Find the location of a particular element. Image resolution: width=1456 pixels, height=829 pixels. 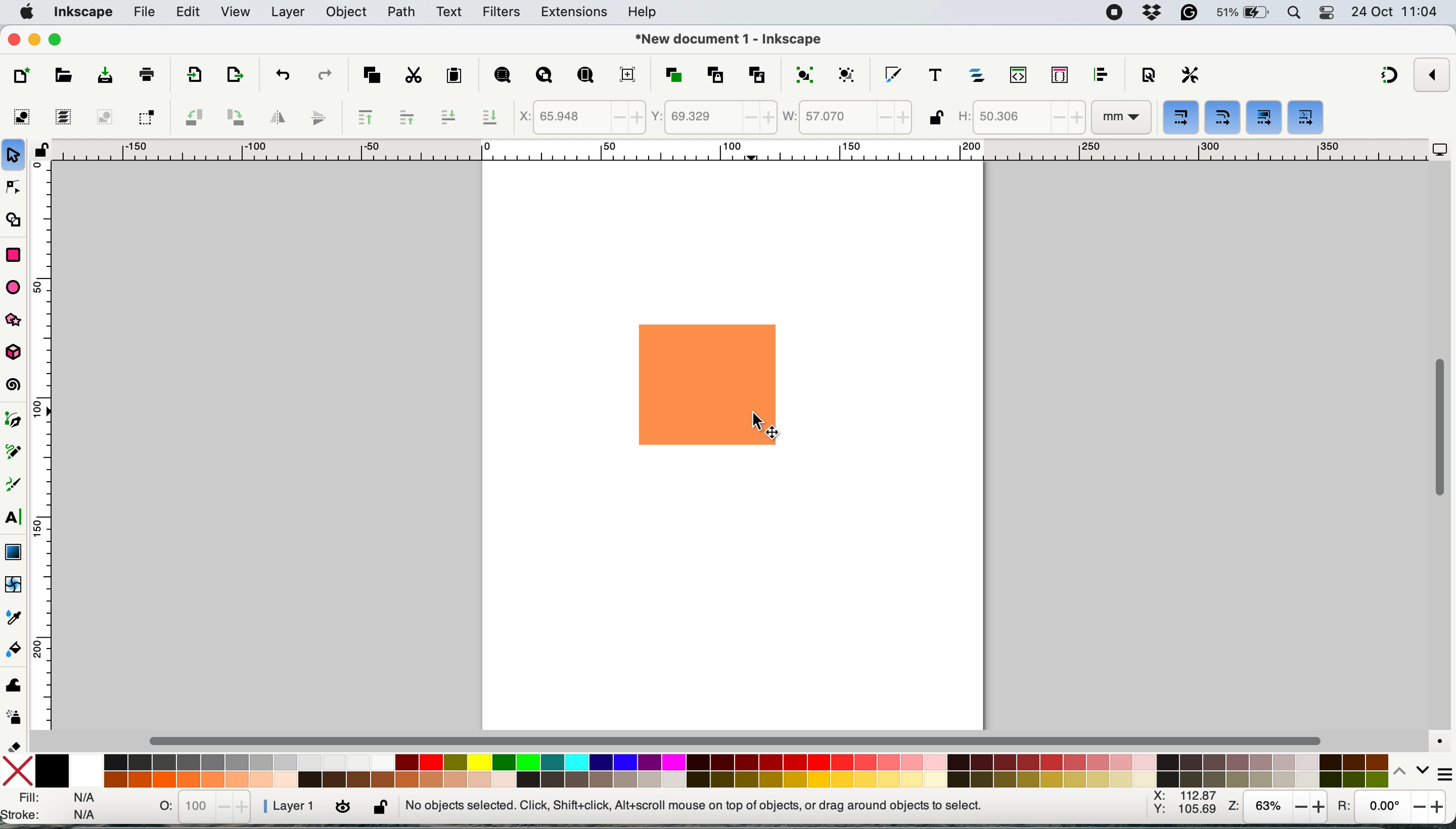

perferences is located at coordinates (1191, 75).